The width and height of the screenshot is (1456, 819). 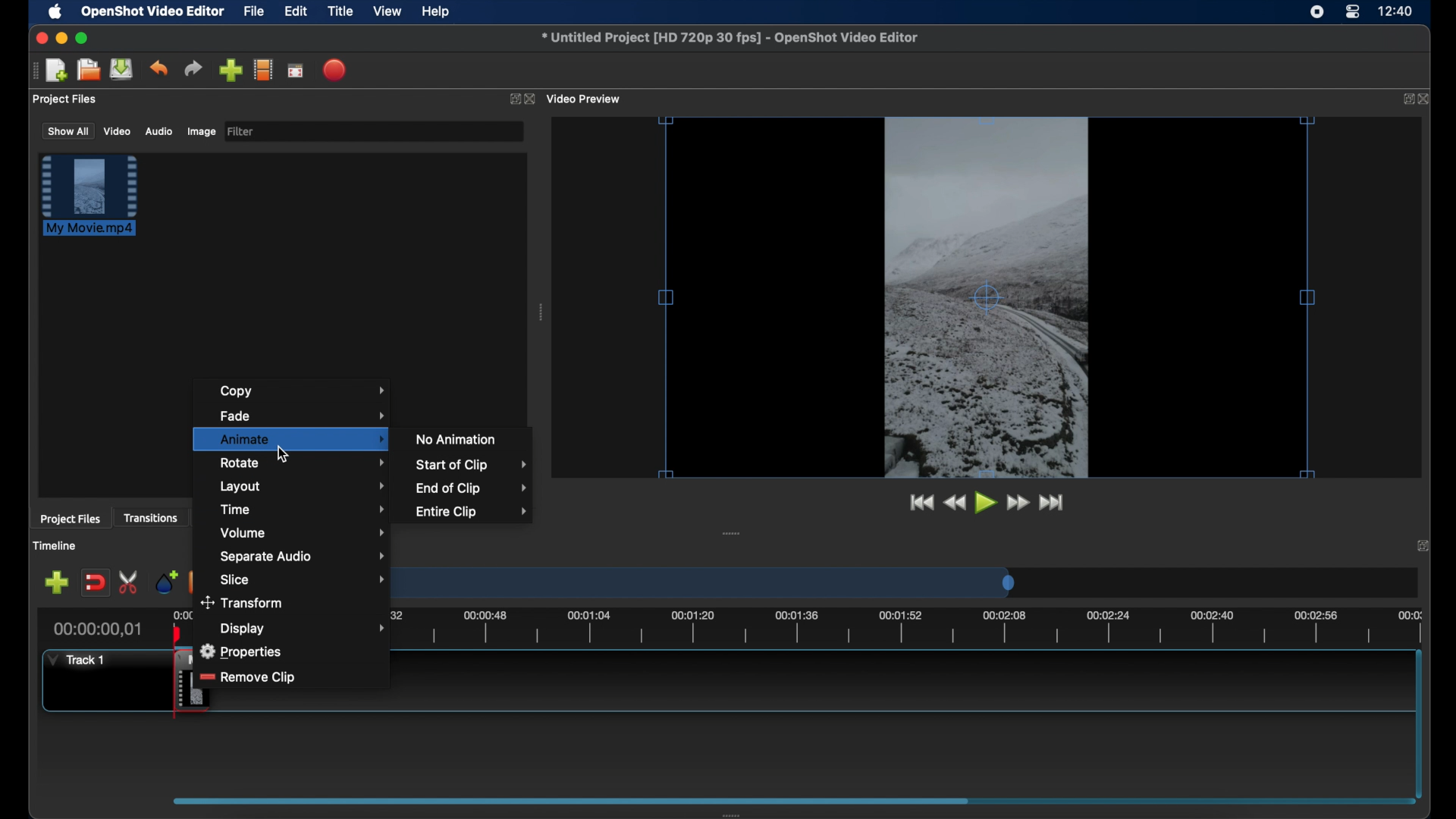 What do you see at coordinates (955, 503) in the screenshot?
I see `rewind` at bounding box center [955, 503].